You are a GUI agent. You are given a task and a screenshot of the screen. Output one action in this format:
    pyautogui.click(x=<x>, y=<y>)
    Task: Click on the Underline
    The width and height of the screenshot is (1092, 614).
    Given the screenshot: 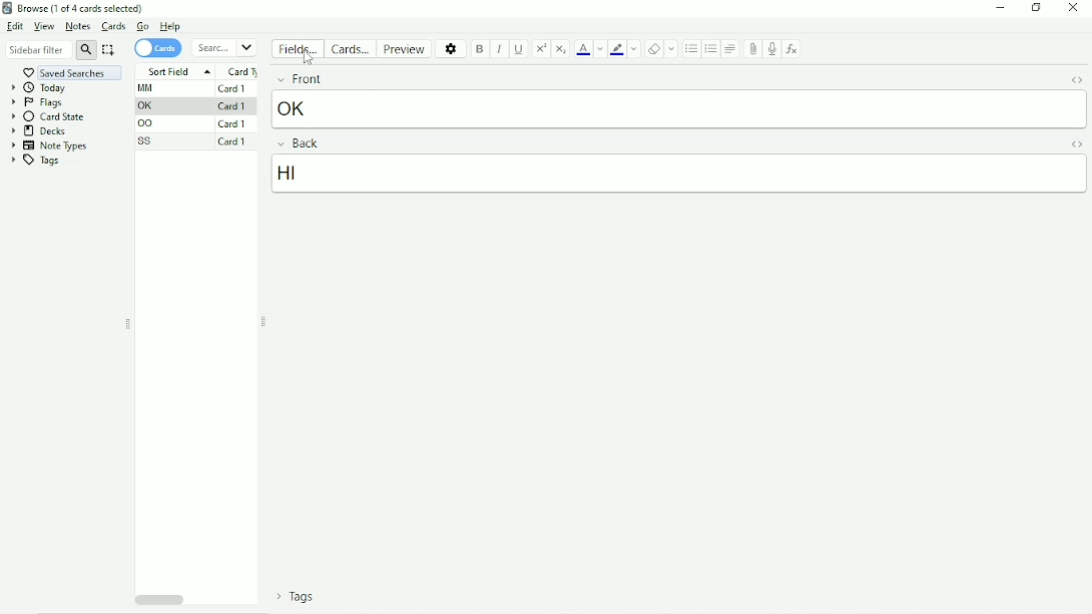 What is the action you would take?
    pyautogui.click(x=520, y=48)
    